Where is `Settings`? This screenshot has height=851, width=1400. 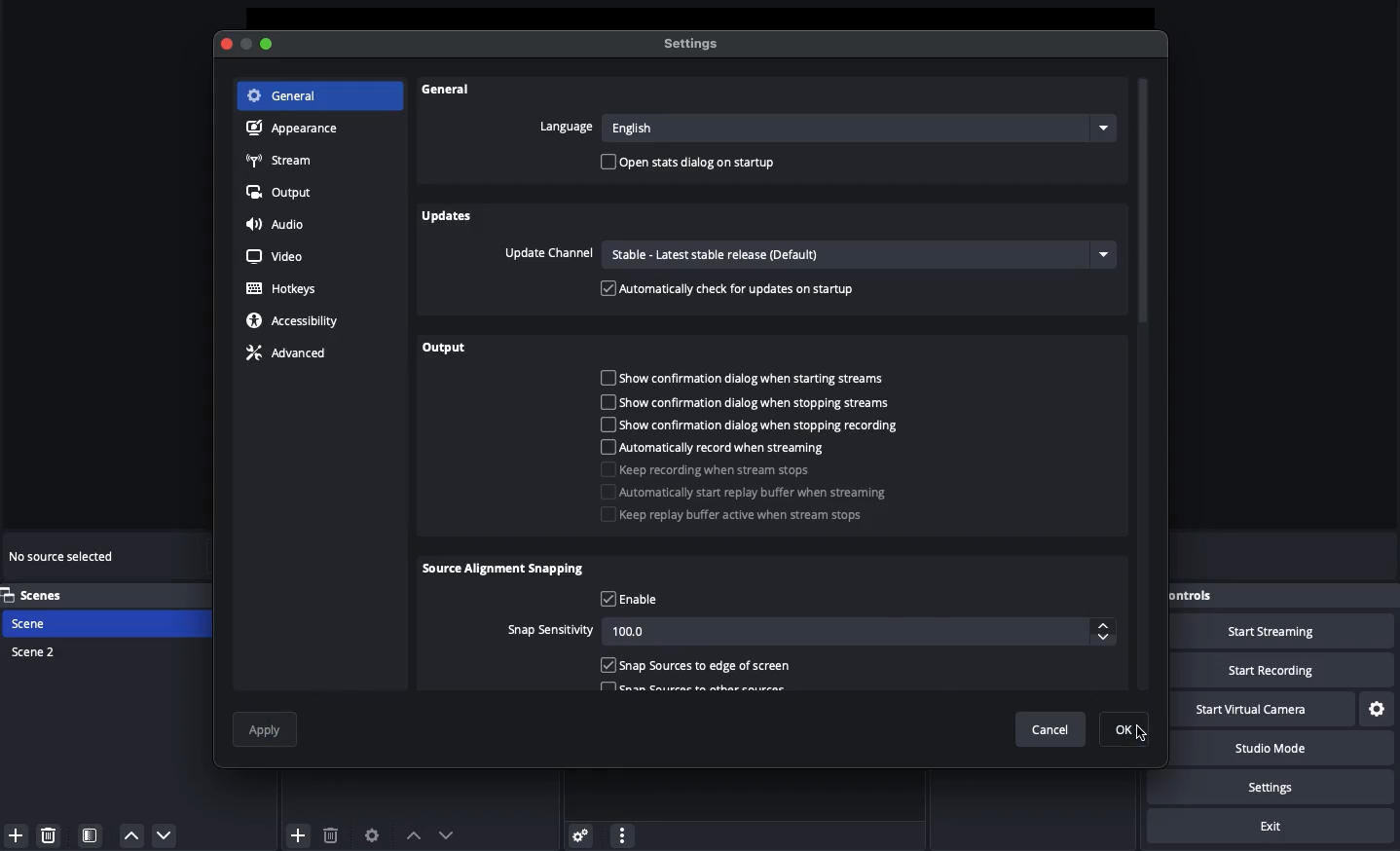
Settings is located at coordinates (695, 45).